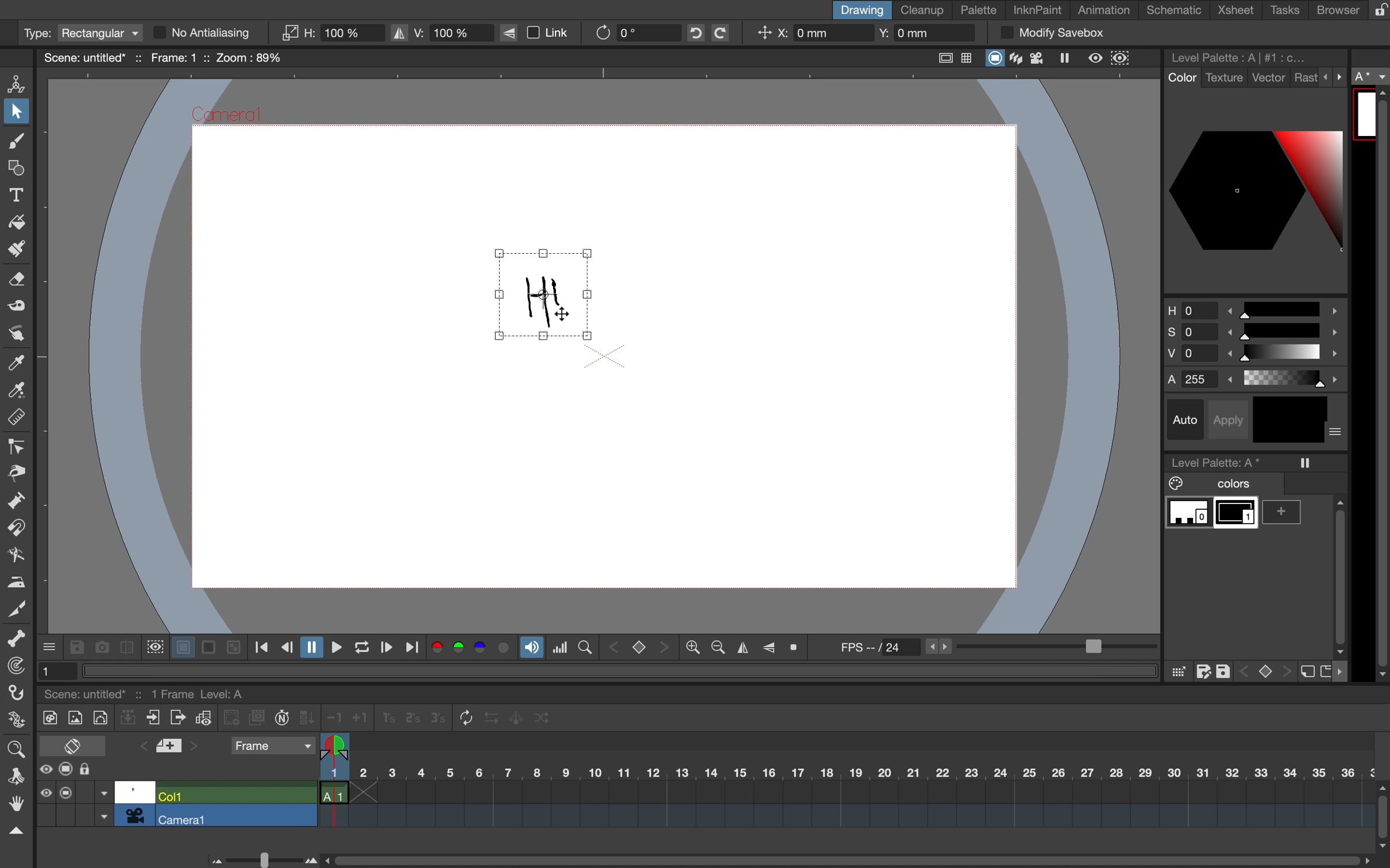  What do you see at coordinates (232, 646) in the screenshot?
I see `checkered background` at bounding box center [232, 646].